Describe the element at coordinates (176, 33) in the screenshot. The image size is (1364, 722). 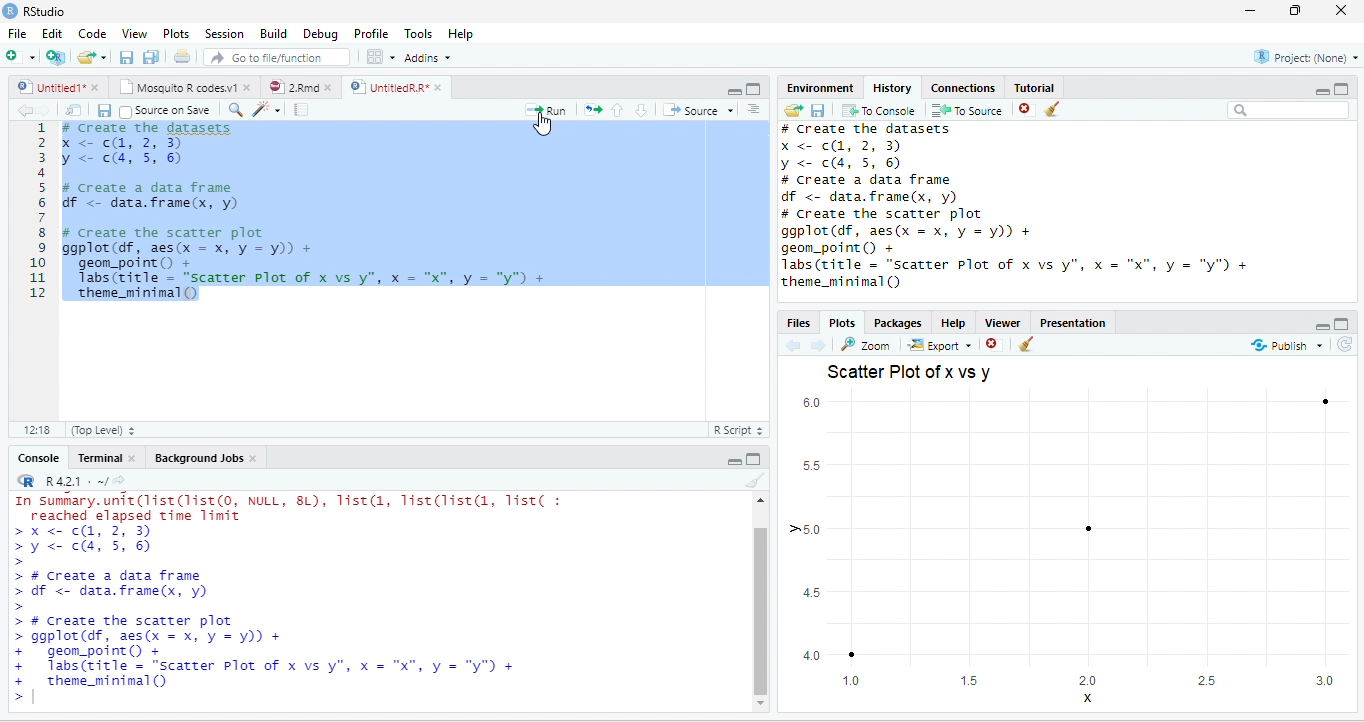
I see `Plots` at that location.